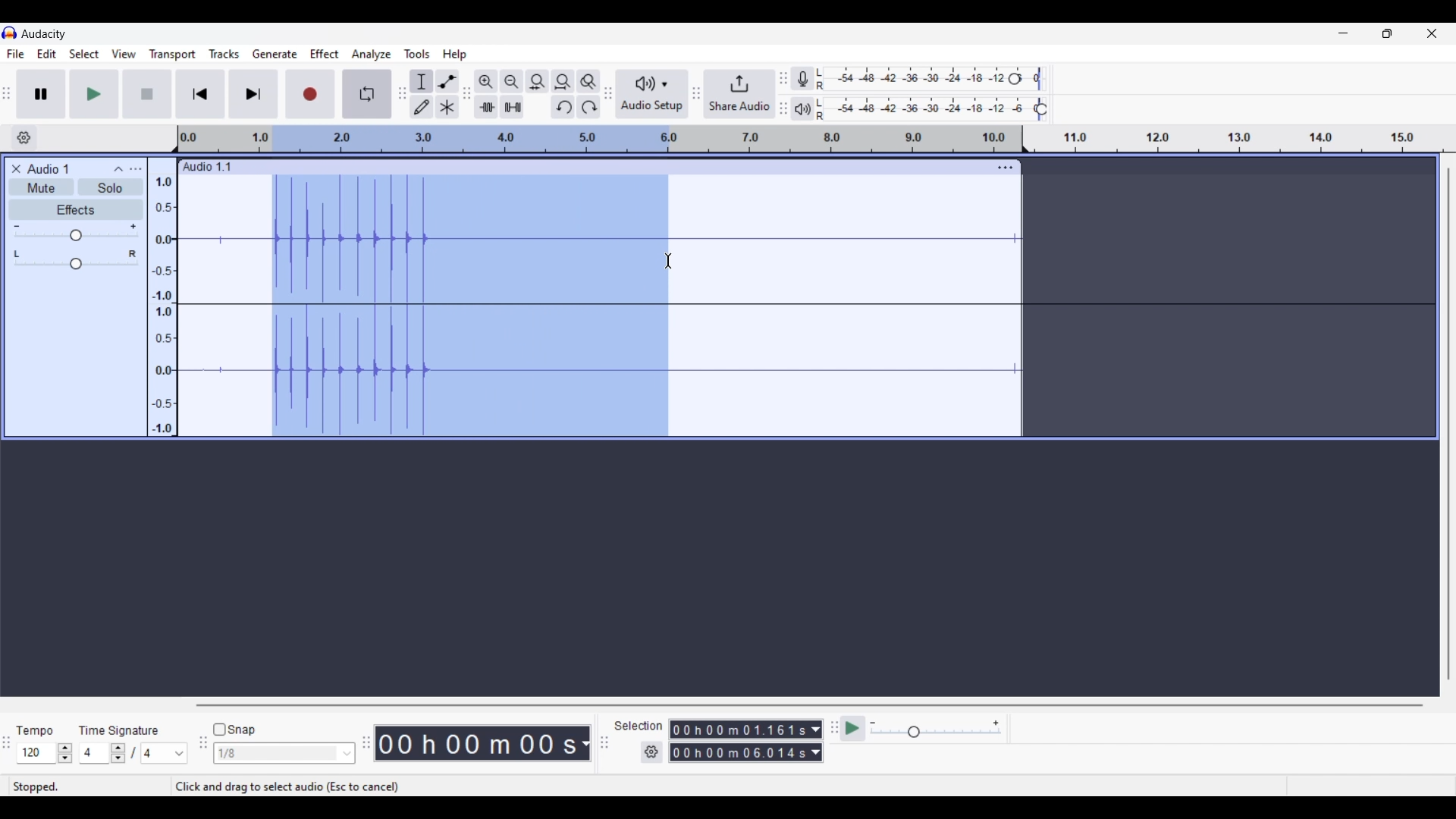 Image resolution: width=1456 pixels, height=819 pixels. I want to click on Selection duration, so click(738, 741).